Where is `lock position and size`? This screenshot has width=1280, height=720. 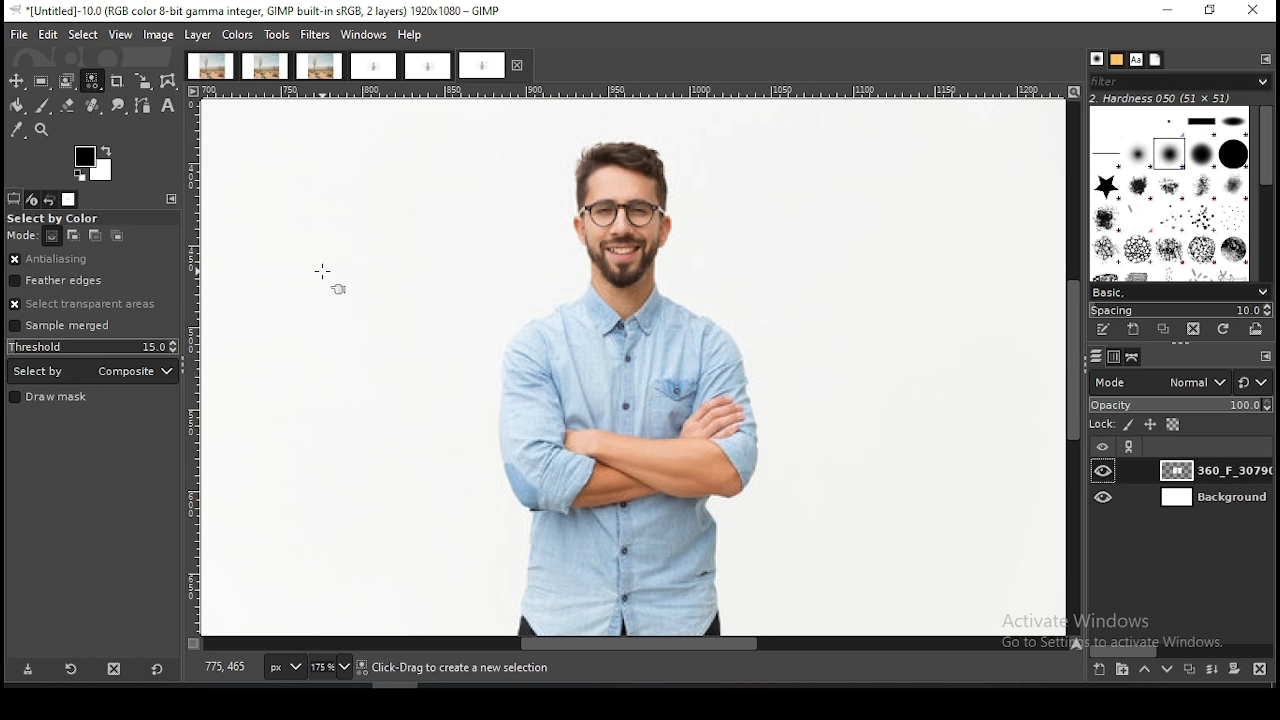
lock position and size is located at coordinates (1149, 426).